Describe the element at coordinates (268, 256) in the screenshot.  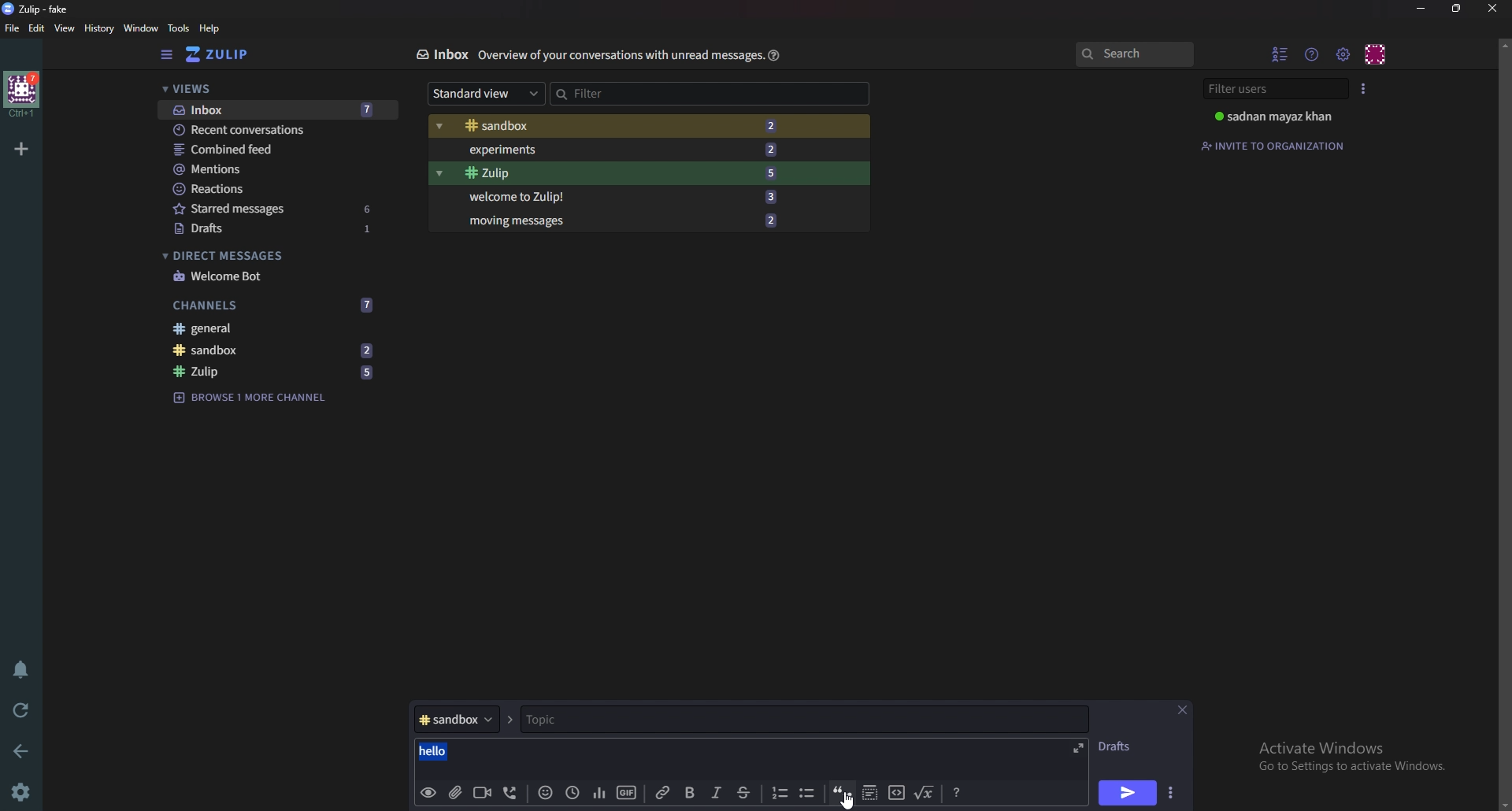
I see `Direct messages` at that location.